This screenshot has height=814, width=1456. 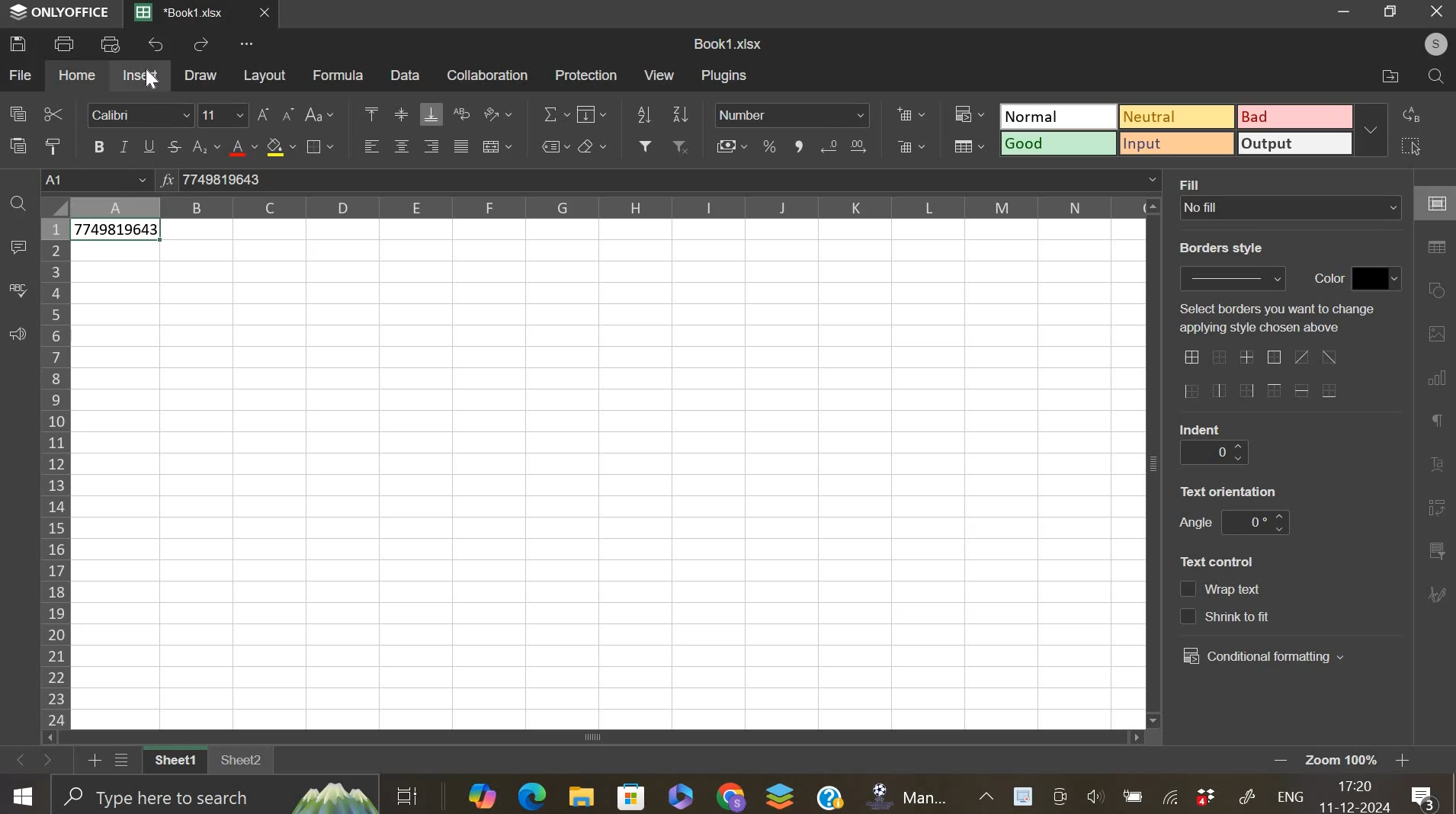 I want to click on comma format, so click(x=799, y=145).